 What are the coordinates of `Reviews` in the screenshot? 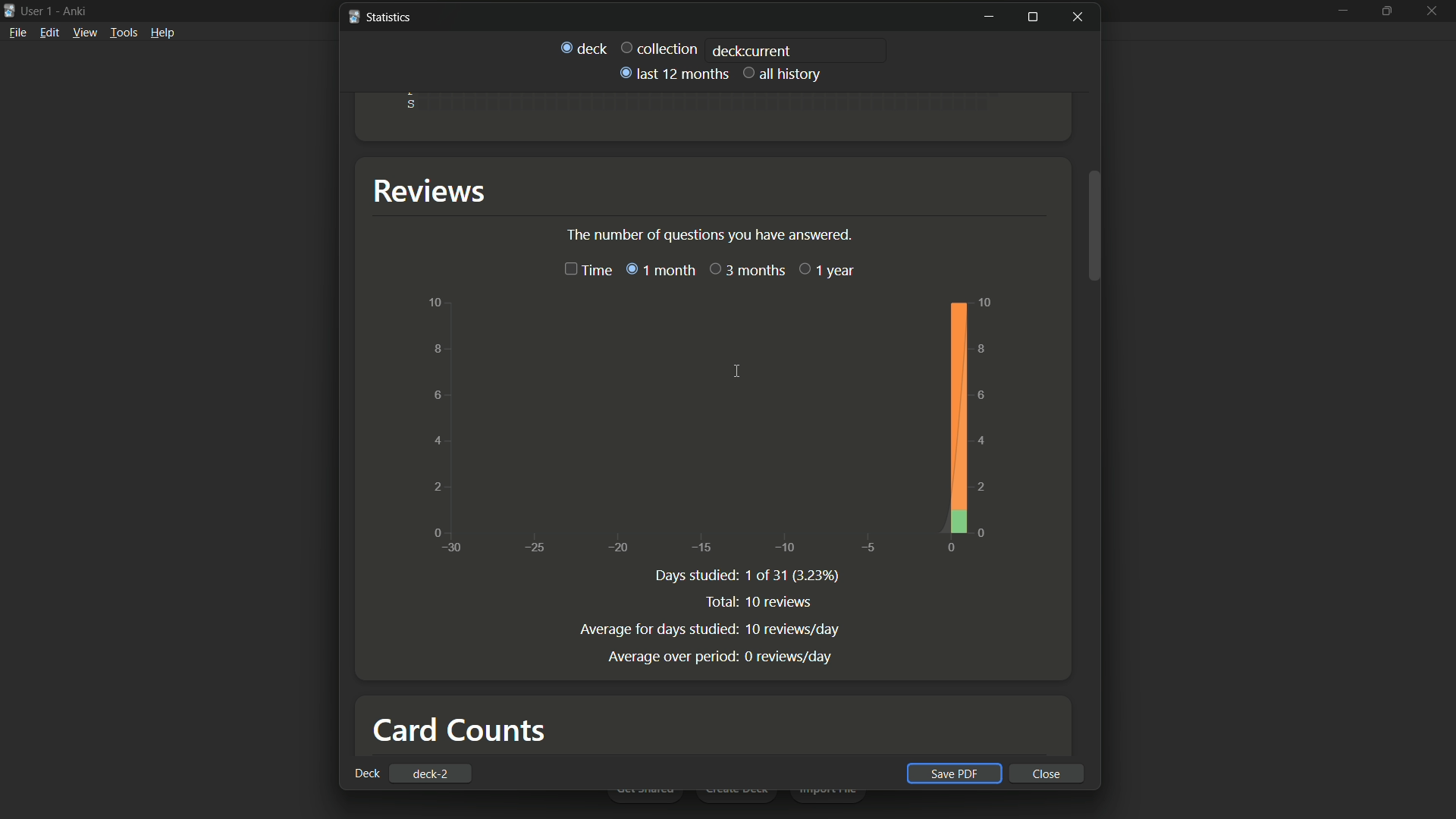 It's located at (429, 190).